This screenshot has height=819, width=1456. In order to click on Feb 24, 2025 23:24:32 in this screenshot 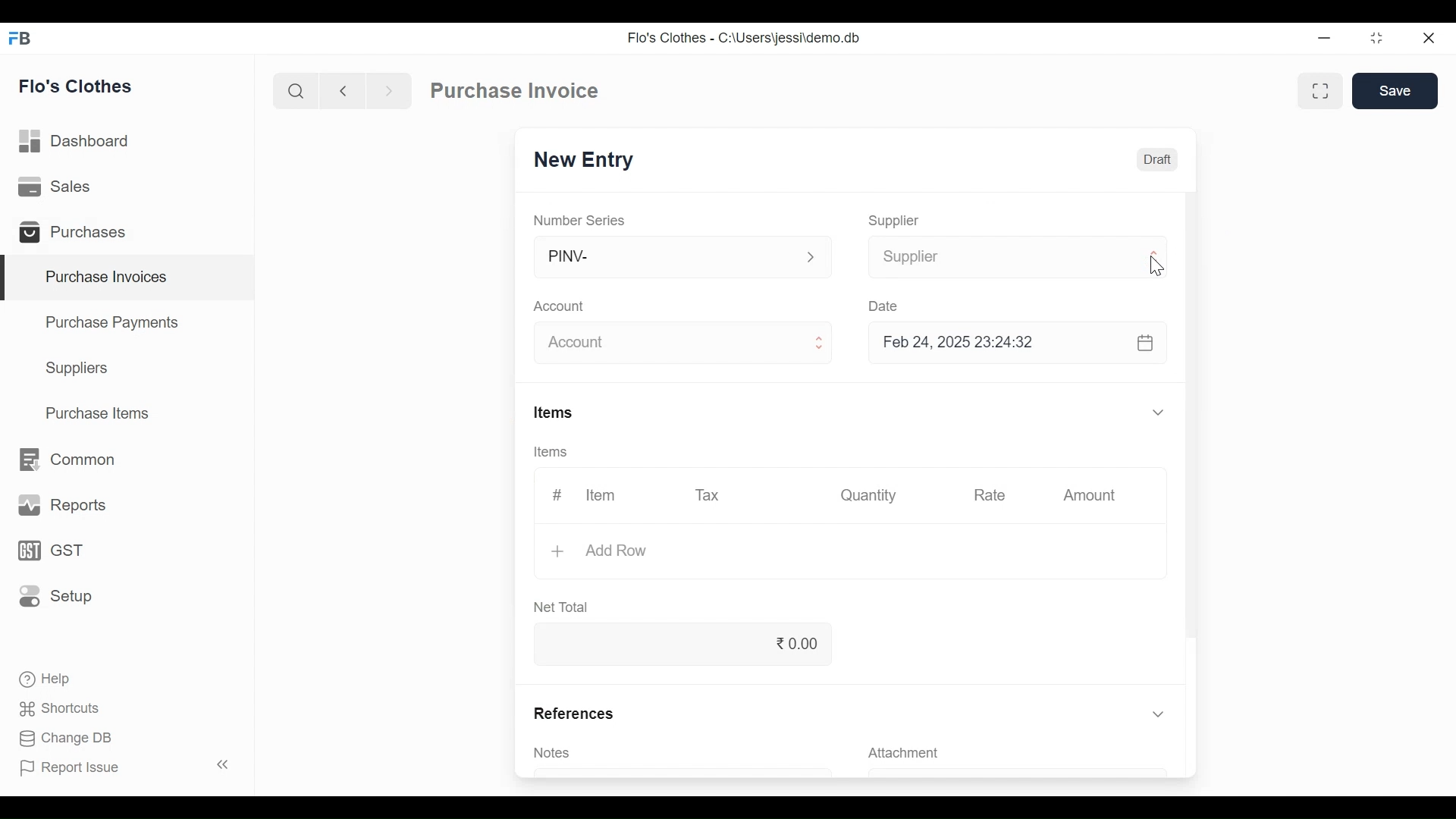, I will do `click(1020, 344)`.